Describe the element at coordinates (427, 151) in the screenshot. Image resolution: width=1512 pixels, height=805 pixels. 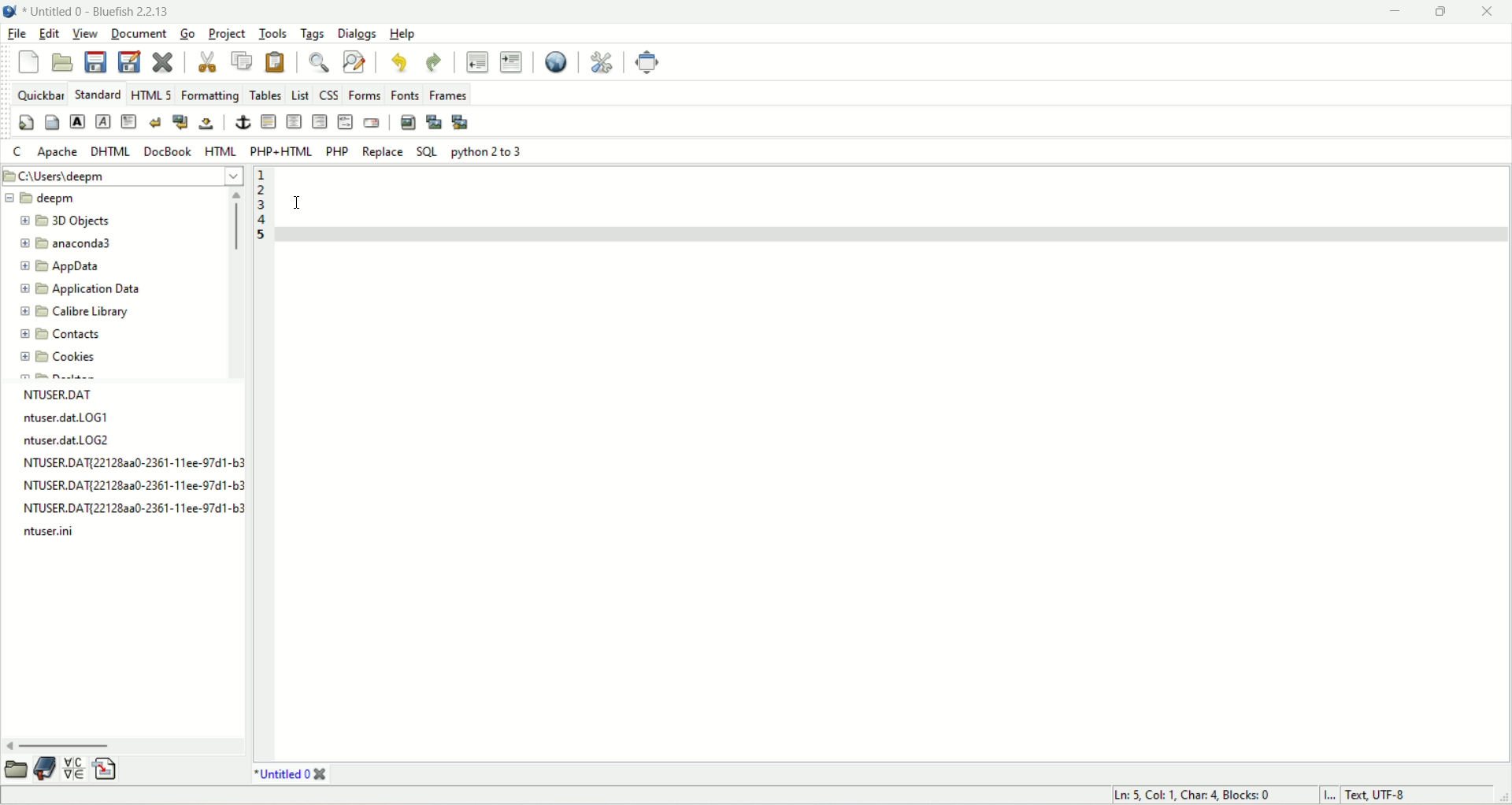
I see `SQL` at that location.